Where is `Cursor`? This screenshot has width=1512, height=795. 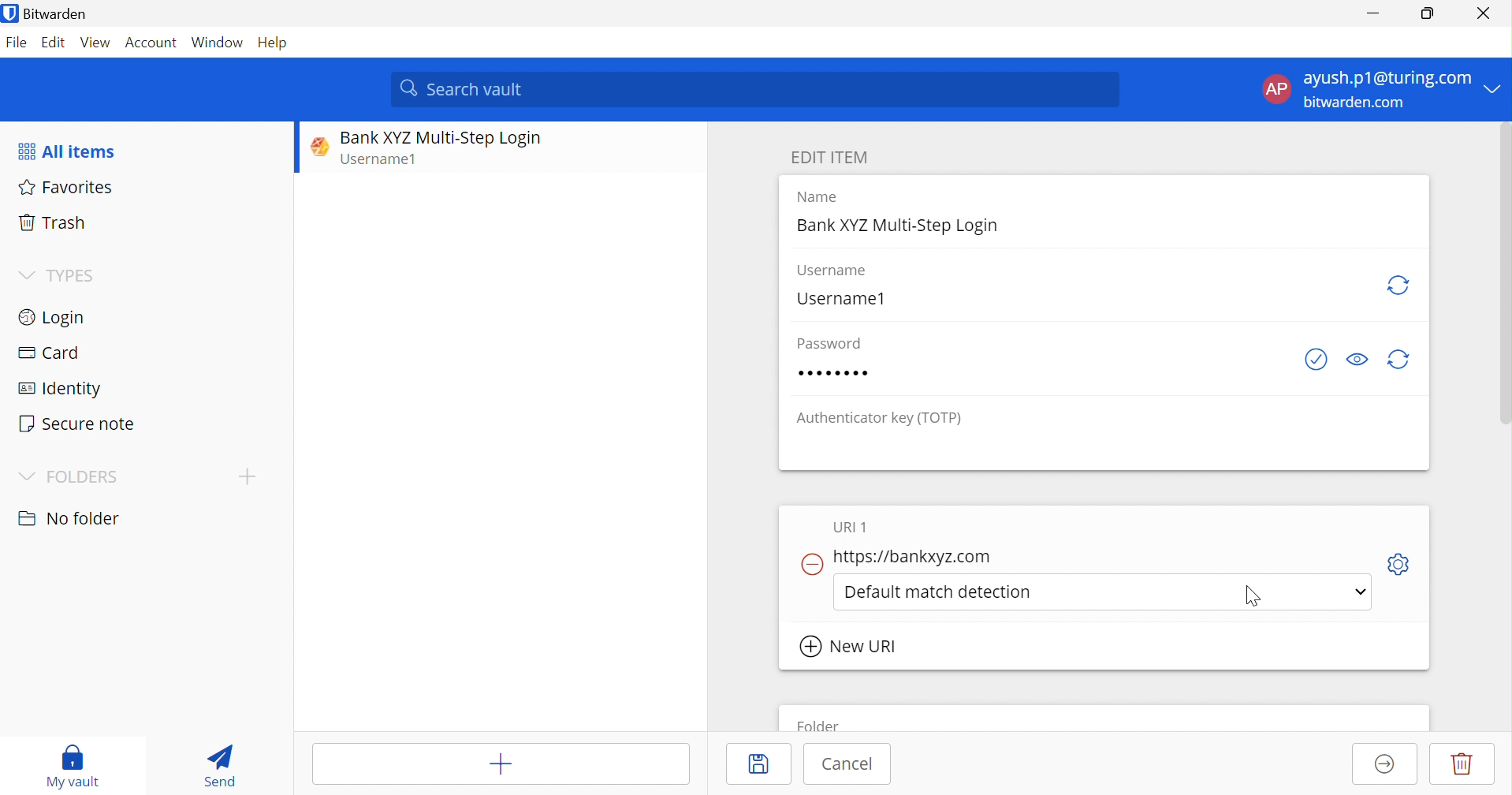 Cursor is located at coordinates (1247, 595).